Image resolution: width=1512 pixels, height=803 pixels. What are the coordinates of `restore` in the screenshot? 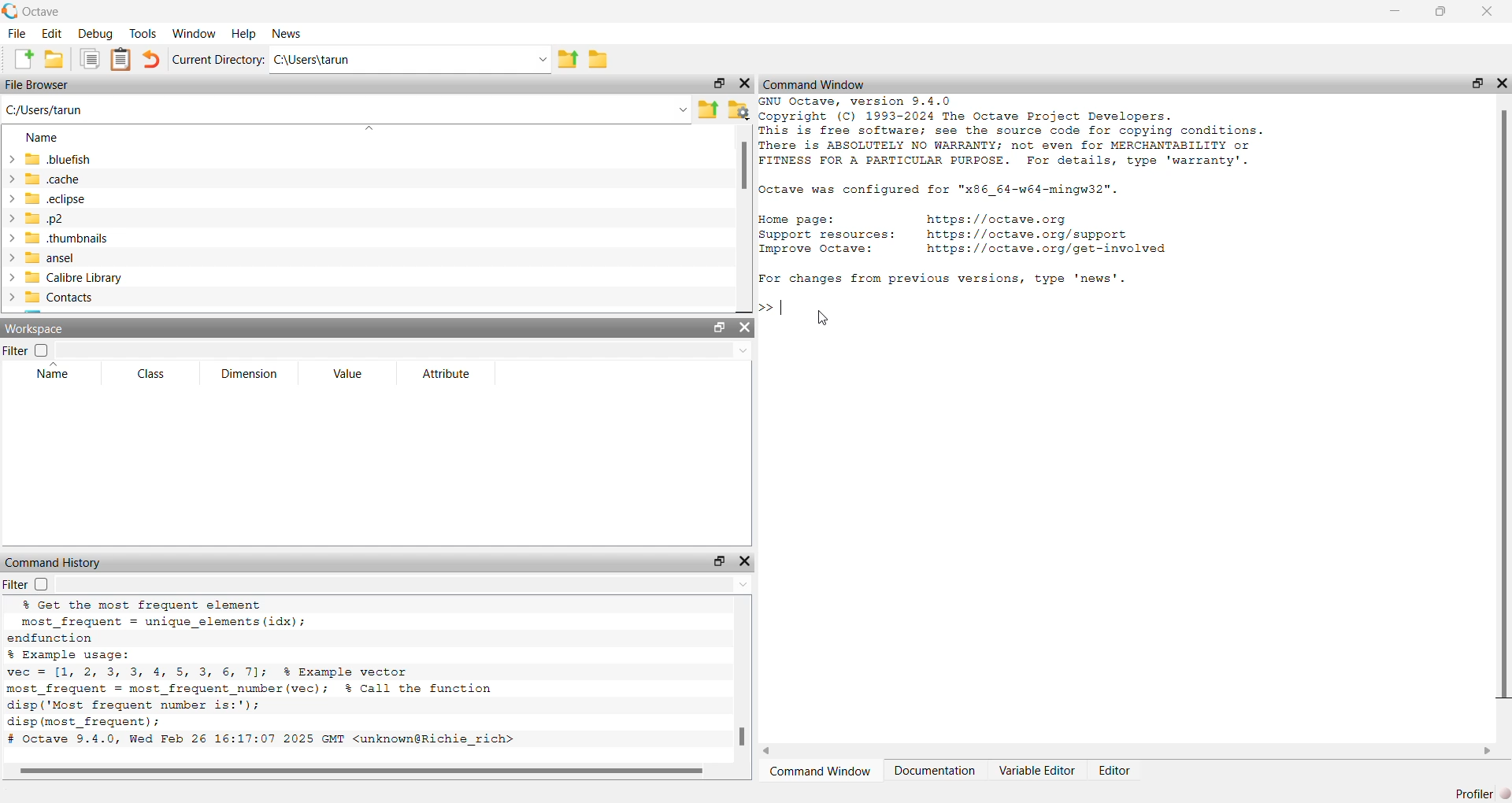 It's located at (1477, 83).